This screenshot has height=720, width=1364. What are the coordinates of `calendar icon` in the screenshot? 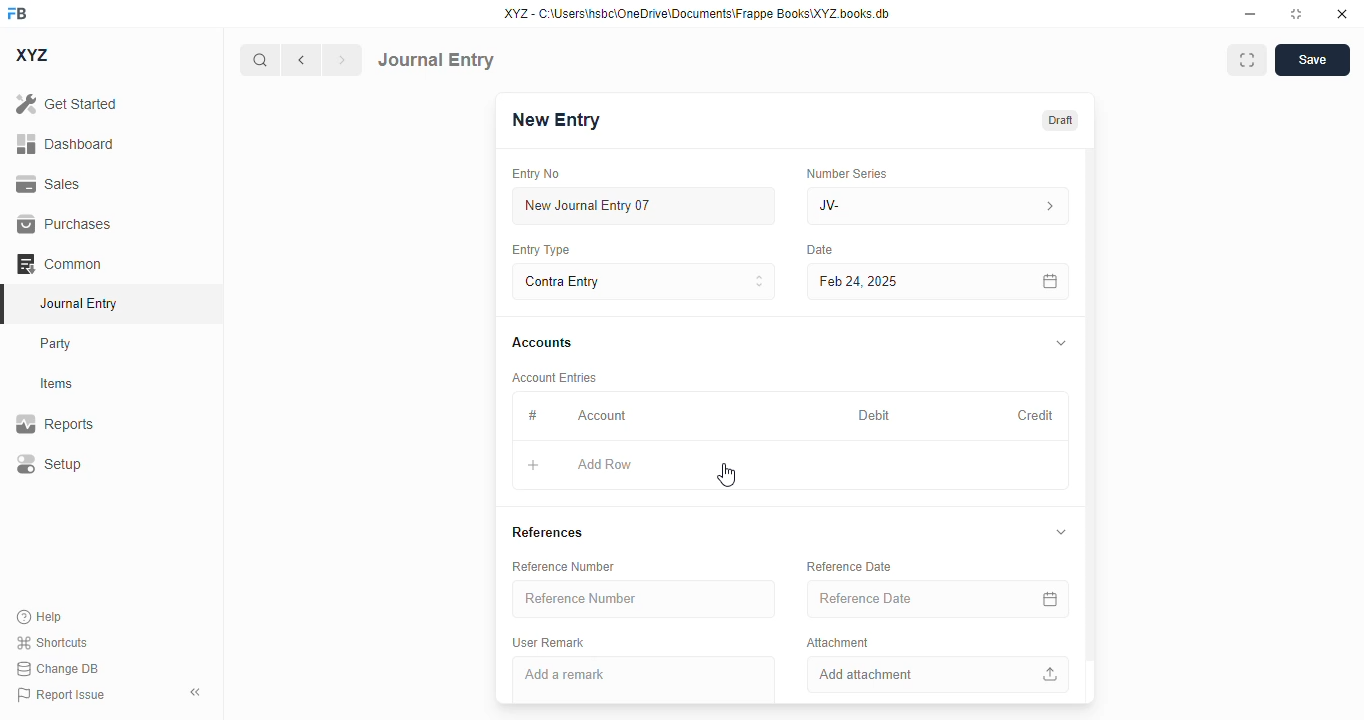 It's located at (1049, 599).